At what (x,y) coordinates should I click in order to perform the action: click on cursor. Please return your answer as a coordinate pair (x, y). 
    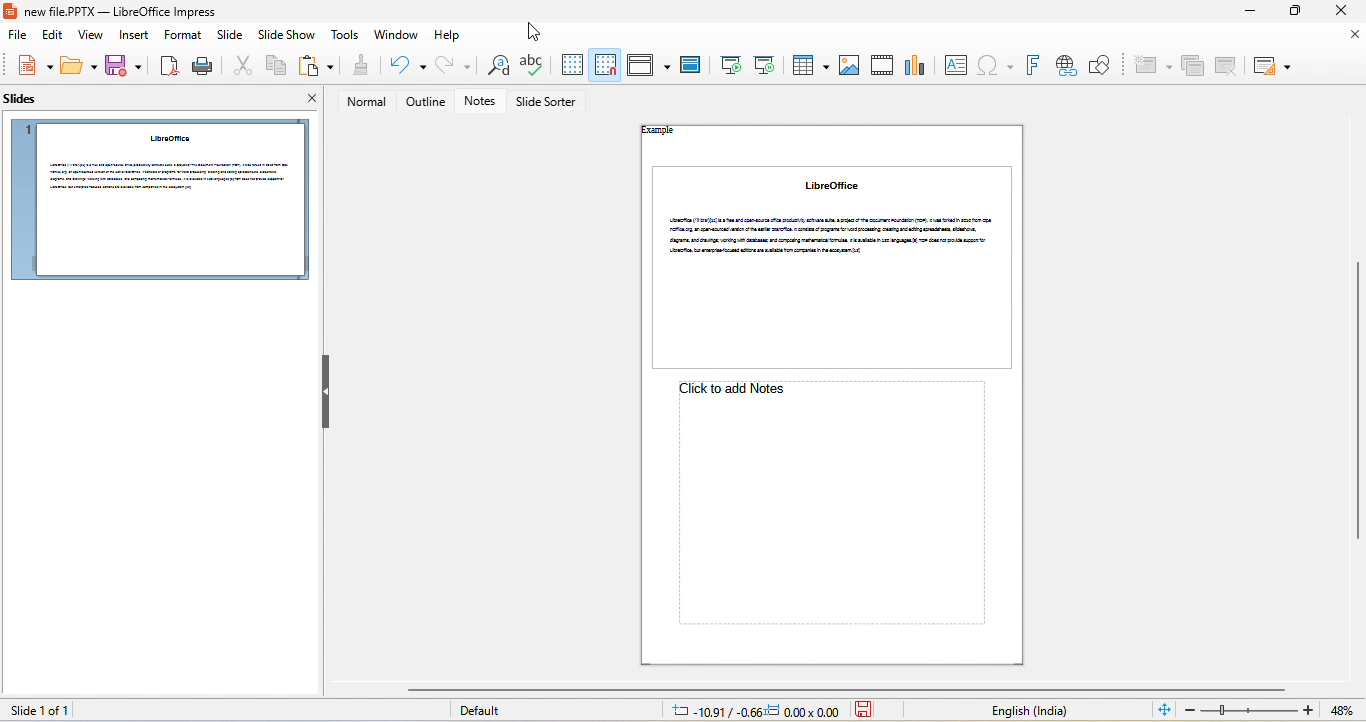
    Looking at the image, I should click on (535, 34).